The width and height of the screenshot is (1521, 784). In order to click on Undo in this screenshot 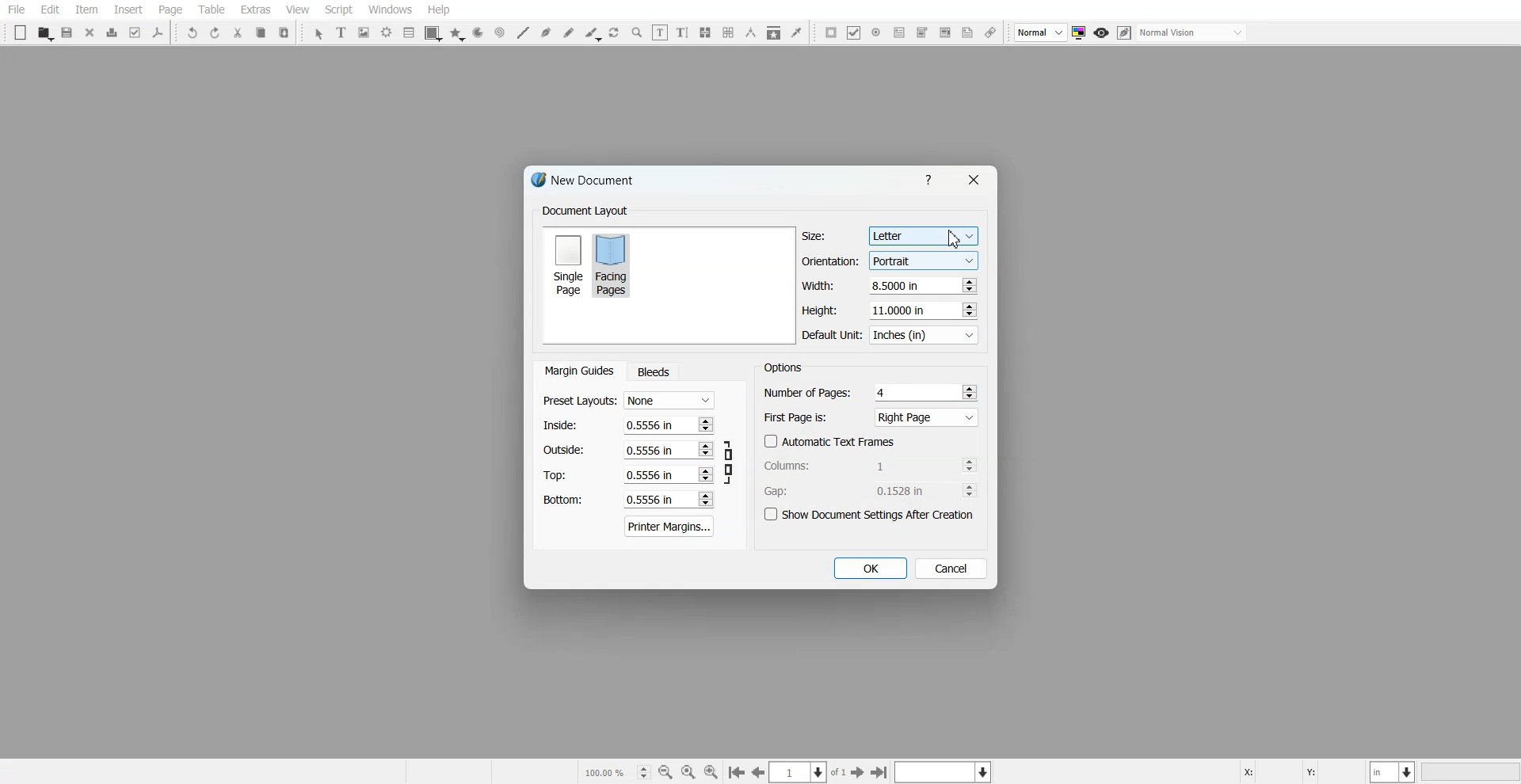, I will do `click(193, 32)`.